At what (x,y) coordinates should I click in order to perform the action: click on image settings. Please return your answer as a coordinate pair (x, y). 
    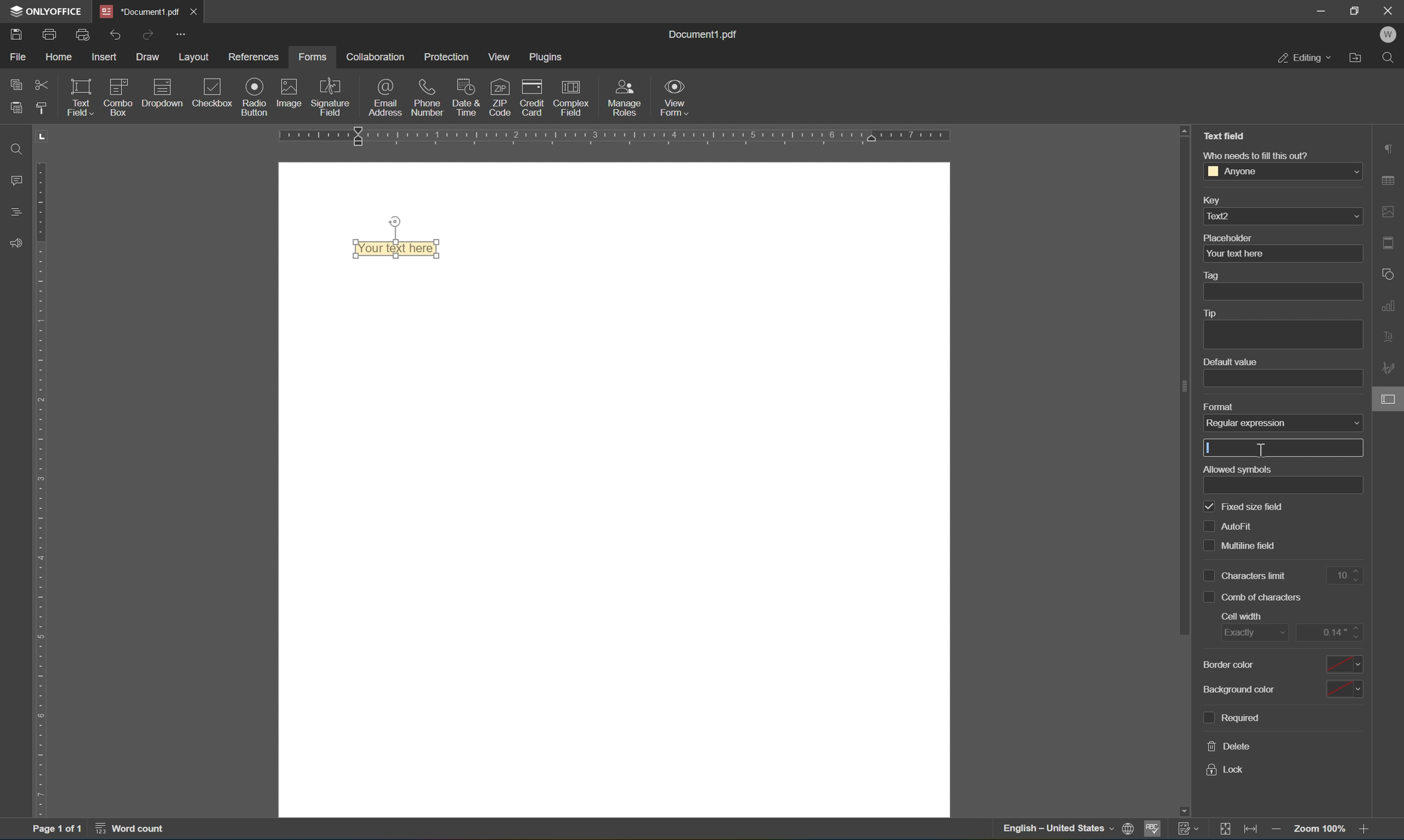
    Looking at the image, I should click on (1388, 209).